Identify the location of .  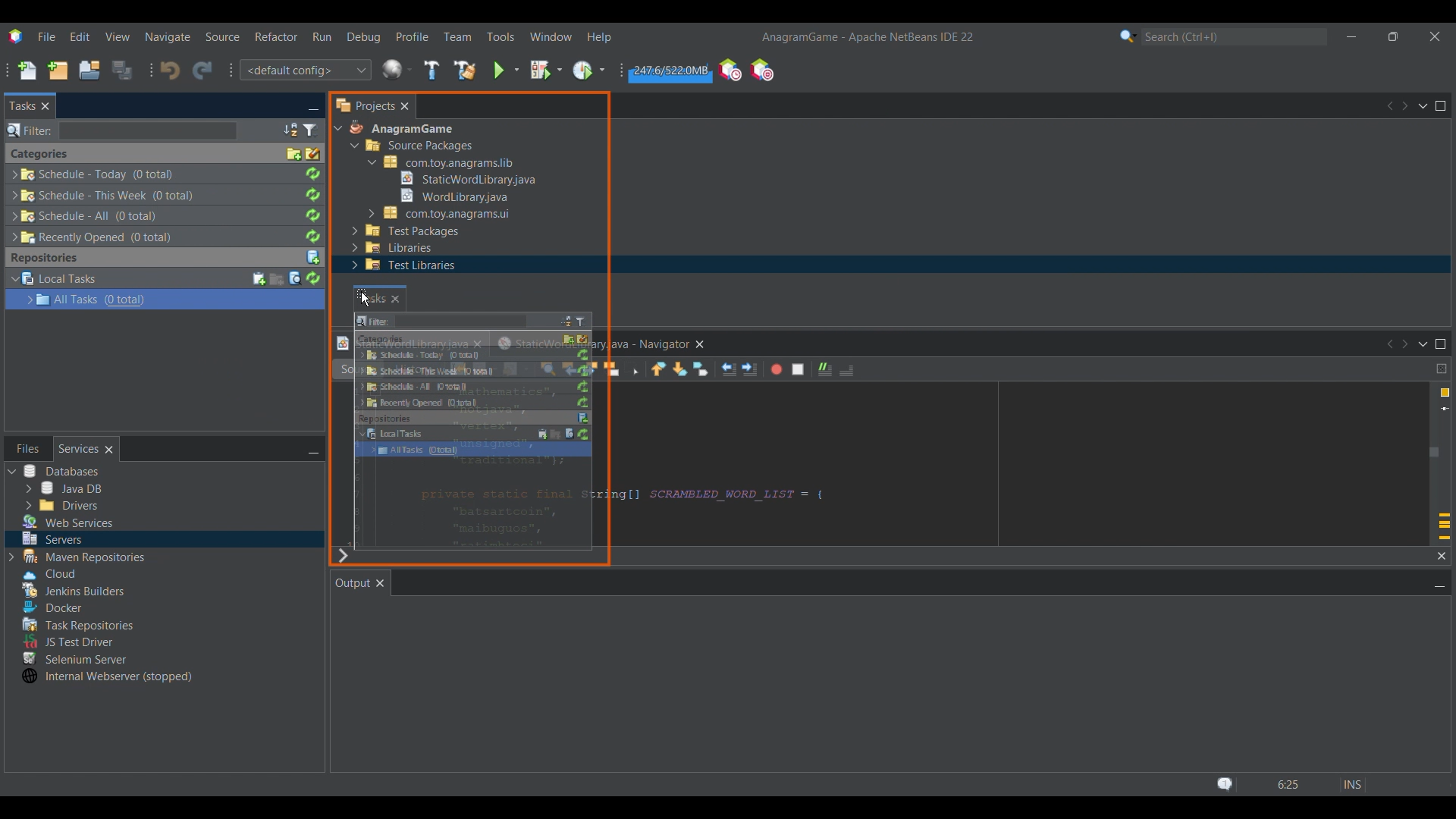
(441, 162).